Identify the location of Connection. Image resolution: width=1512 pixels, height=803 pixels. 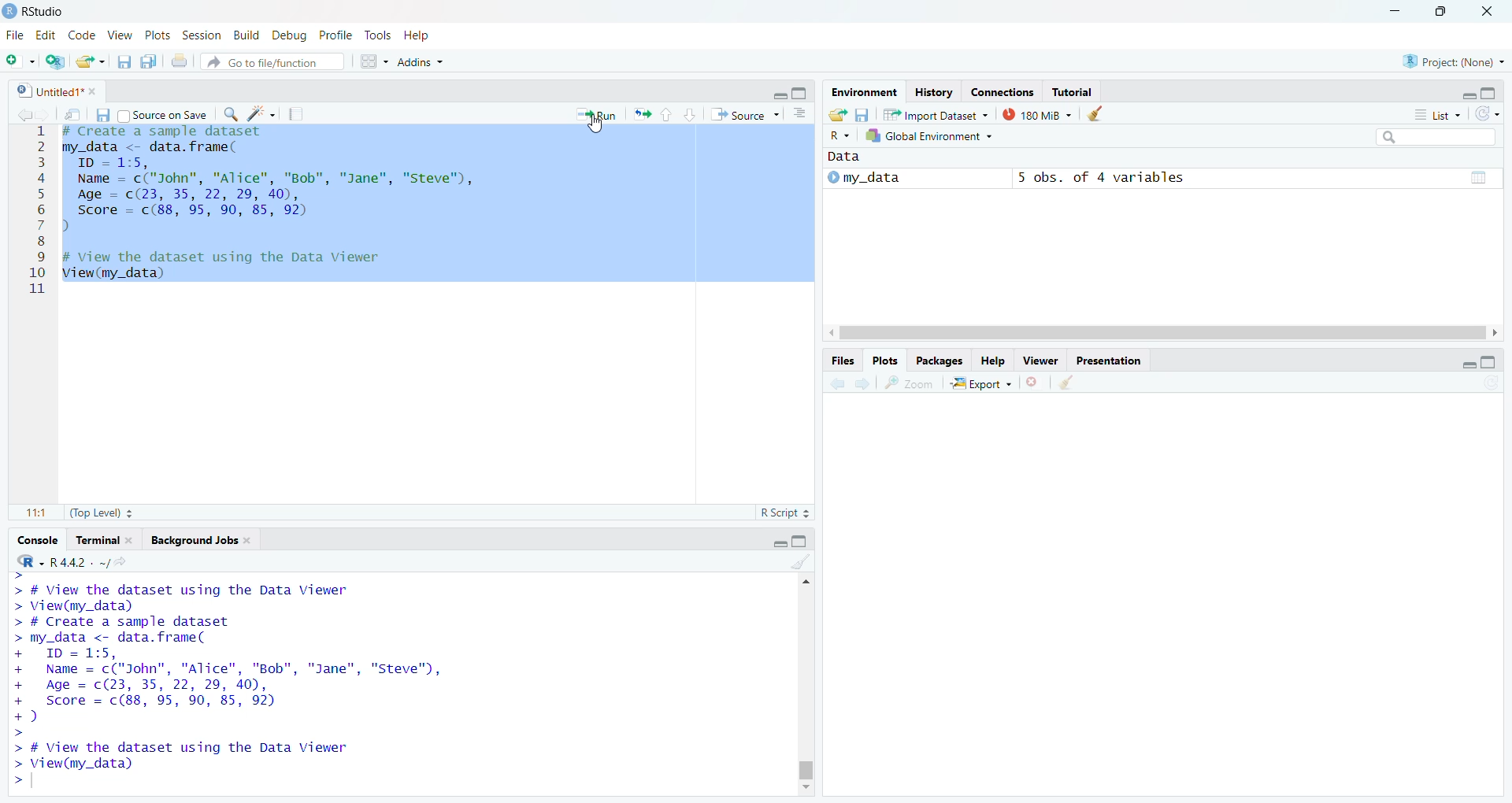
(1000, 94).